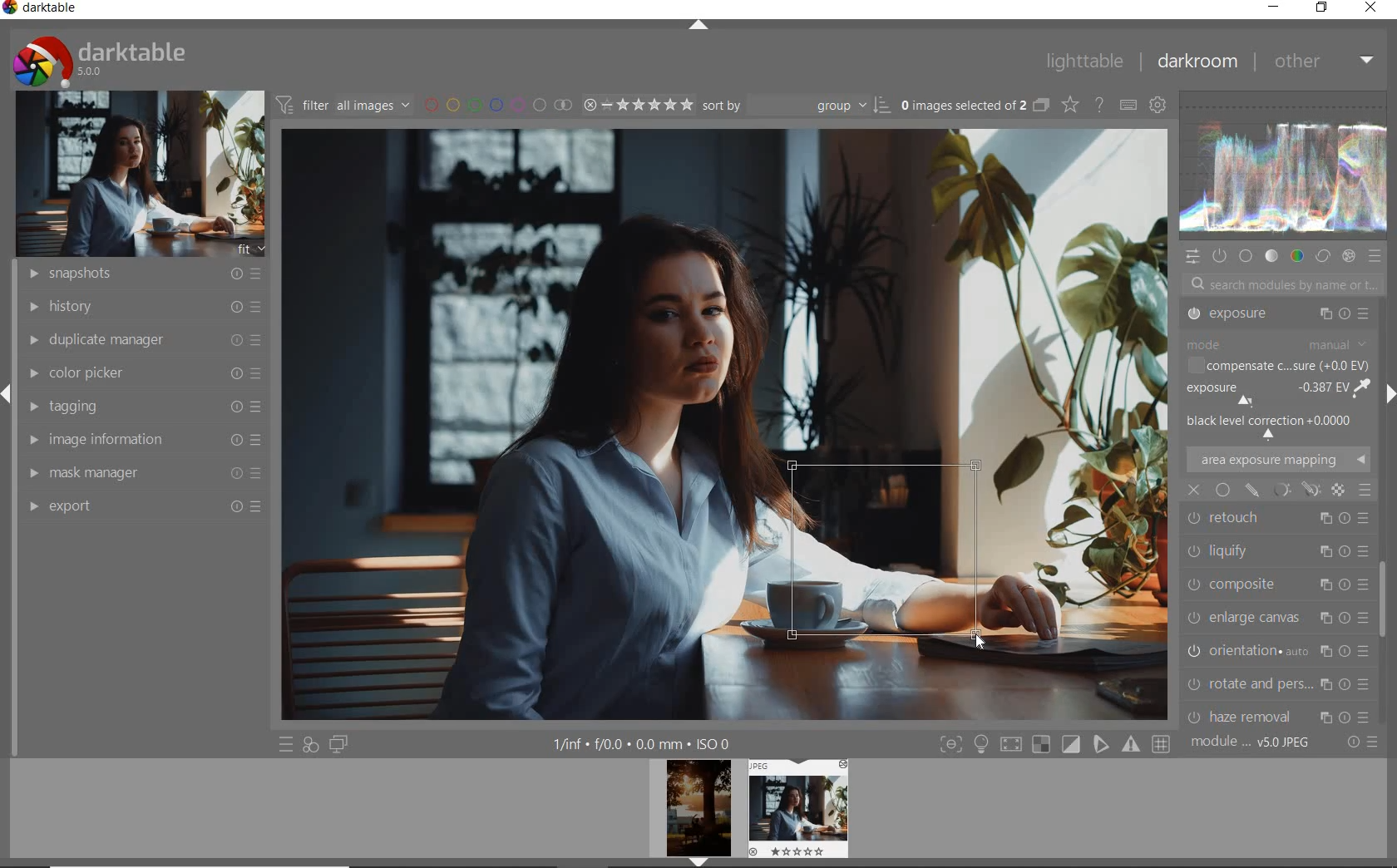 The width and height of the screenshot is (1397, 868). I want to click on SELECTED IMAGES, so click(960, 106).